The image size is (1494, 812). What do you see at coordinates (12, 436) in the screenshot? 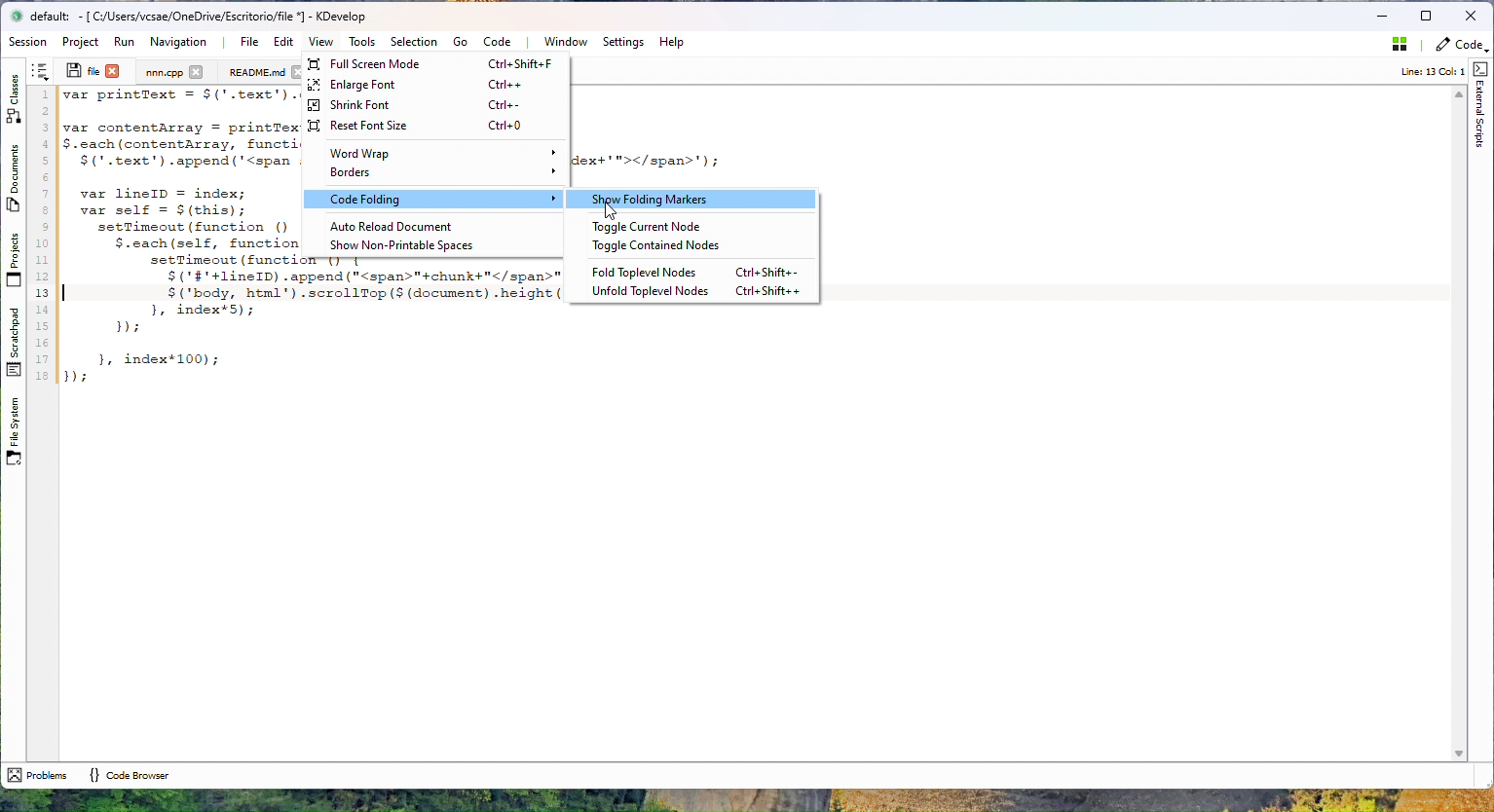
I see `File System` at bounding box center [12, 436].